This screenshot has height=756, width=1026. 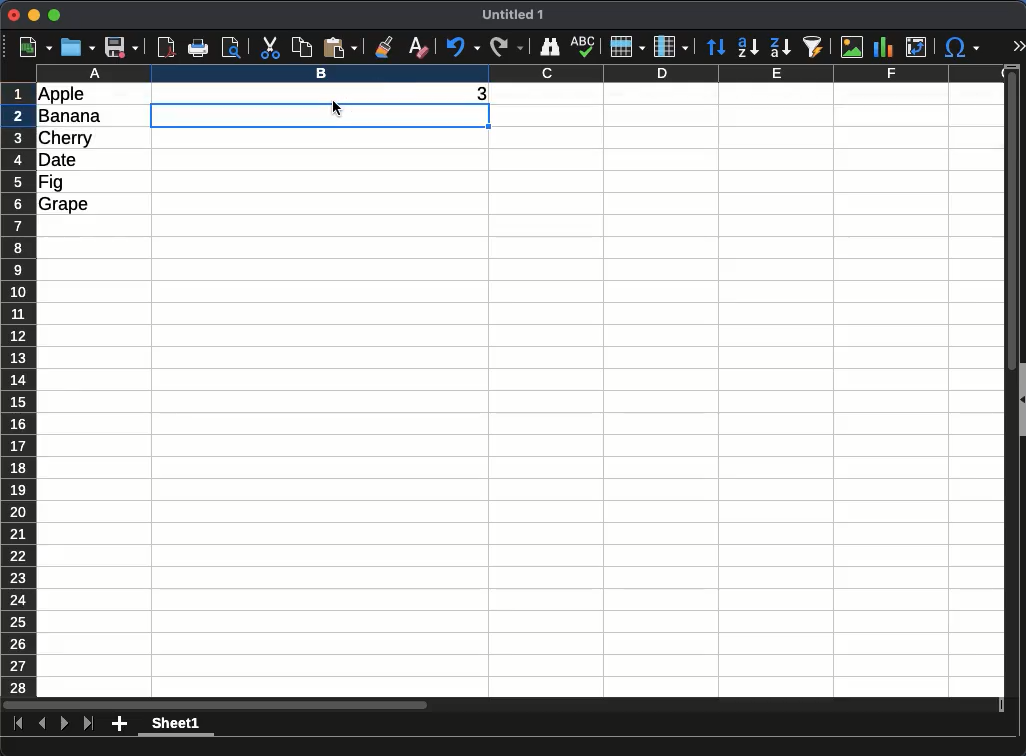 What do you see at coordinates (269, 48) in the screenshot?
I see `cut` at bounding box center [269, 48].